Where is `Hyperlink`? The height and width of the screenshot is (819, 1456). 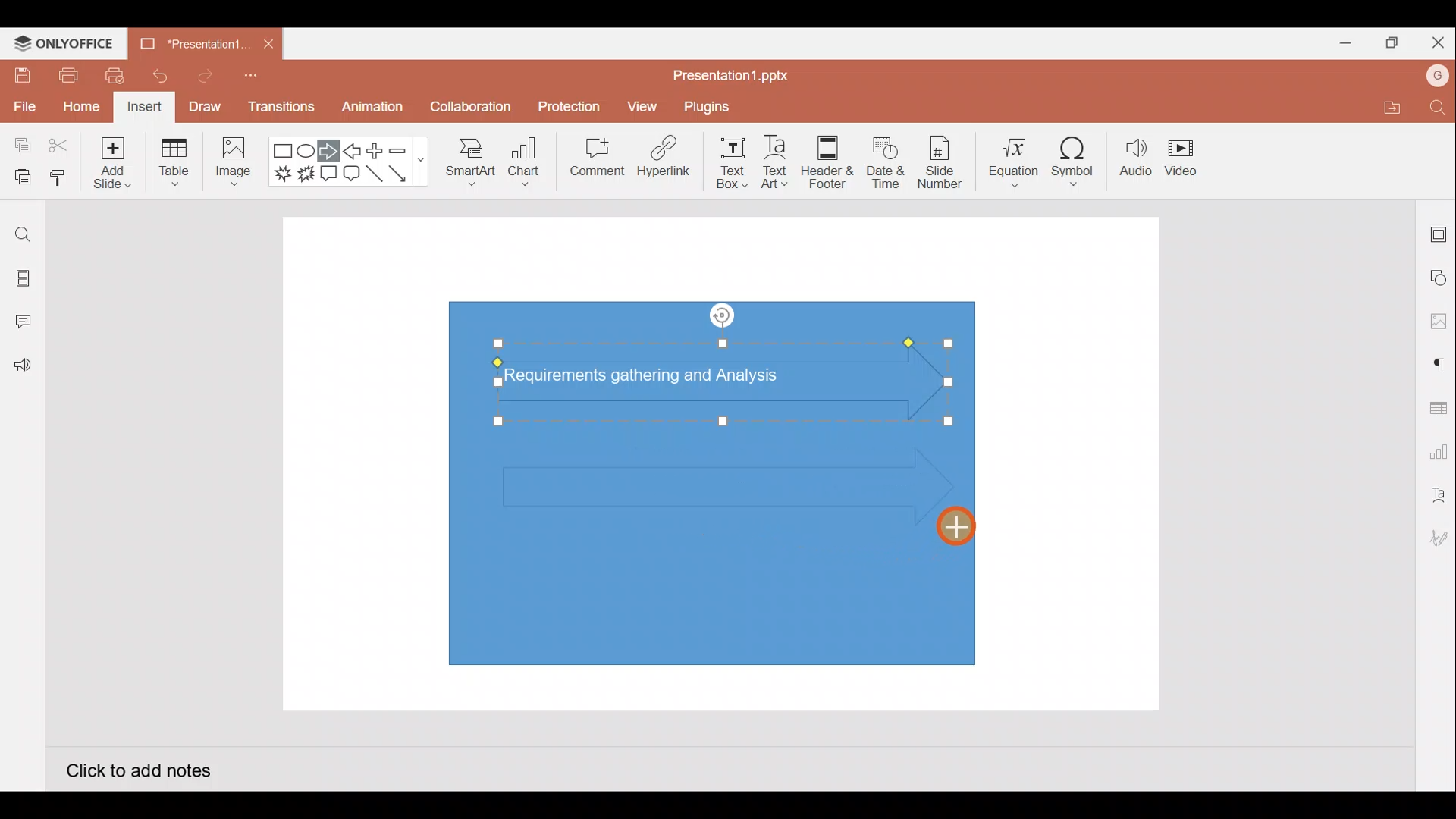
Hyperlink is located at coordinates (660, 158).